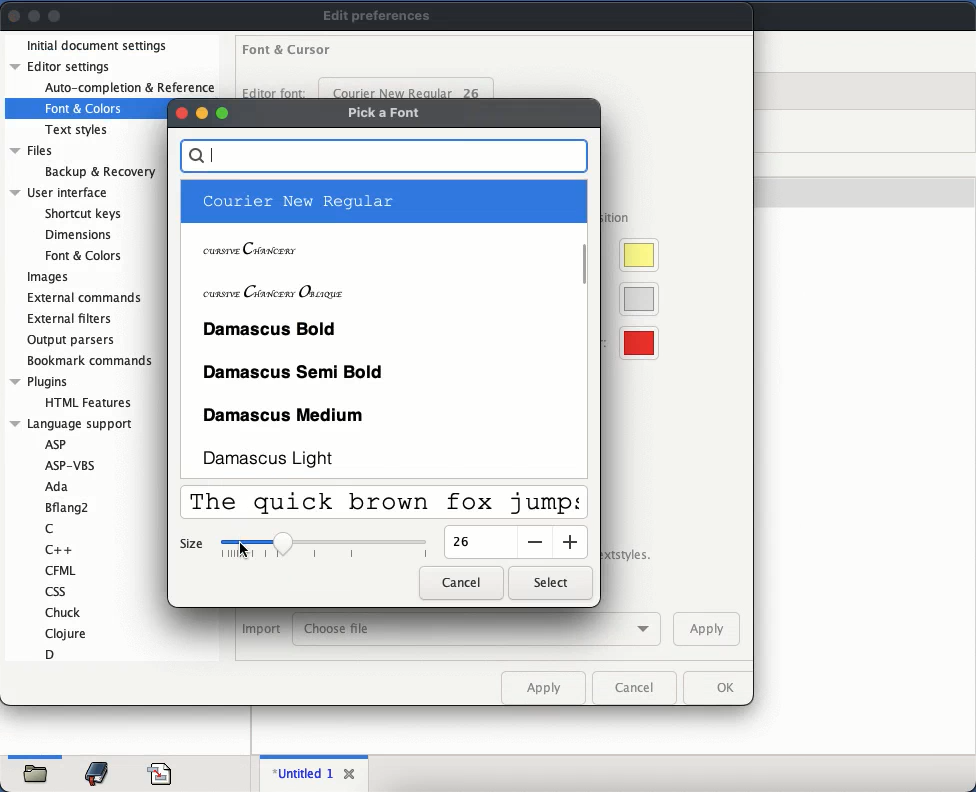  What do you see at coordinates (99, 171) in the screenshot?
I see `Backup & Recovery` at bounding box center [99, 171].